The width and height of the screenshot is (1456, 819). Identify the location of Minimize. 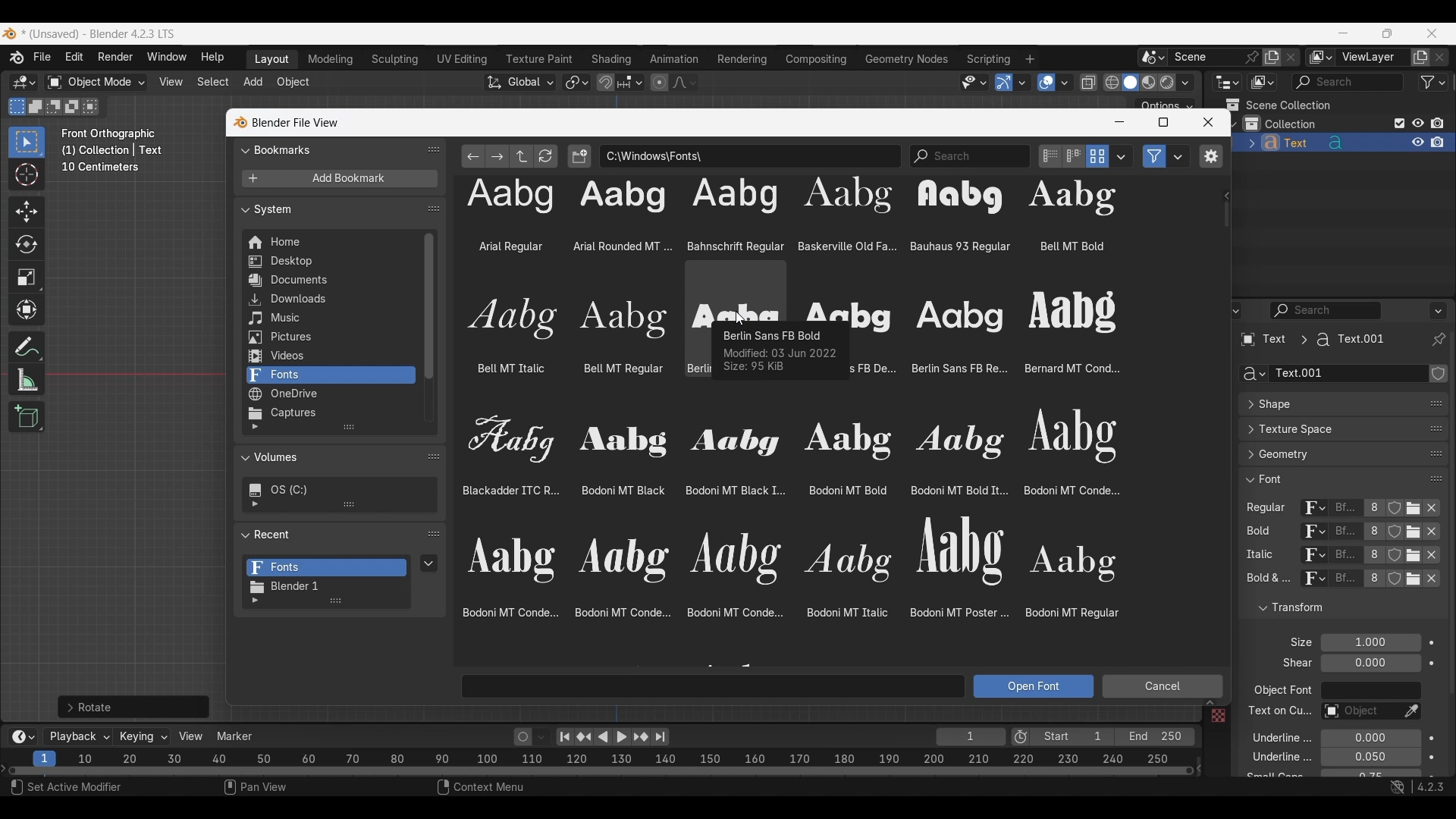
(1344, 33).